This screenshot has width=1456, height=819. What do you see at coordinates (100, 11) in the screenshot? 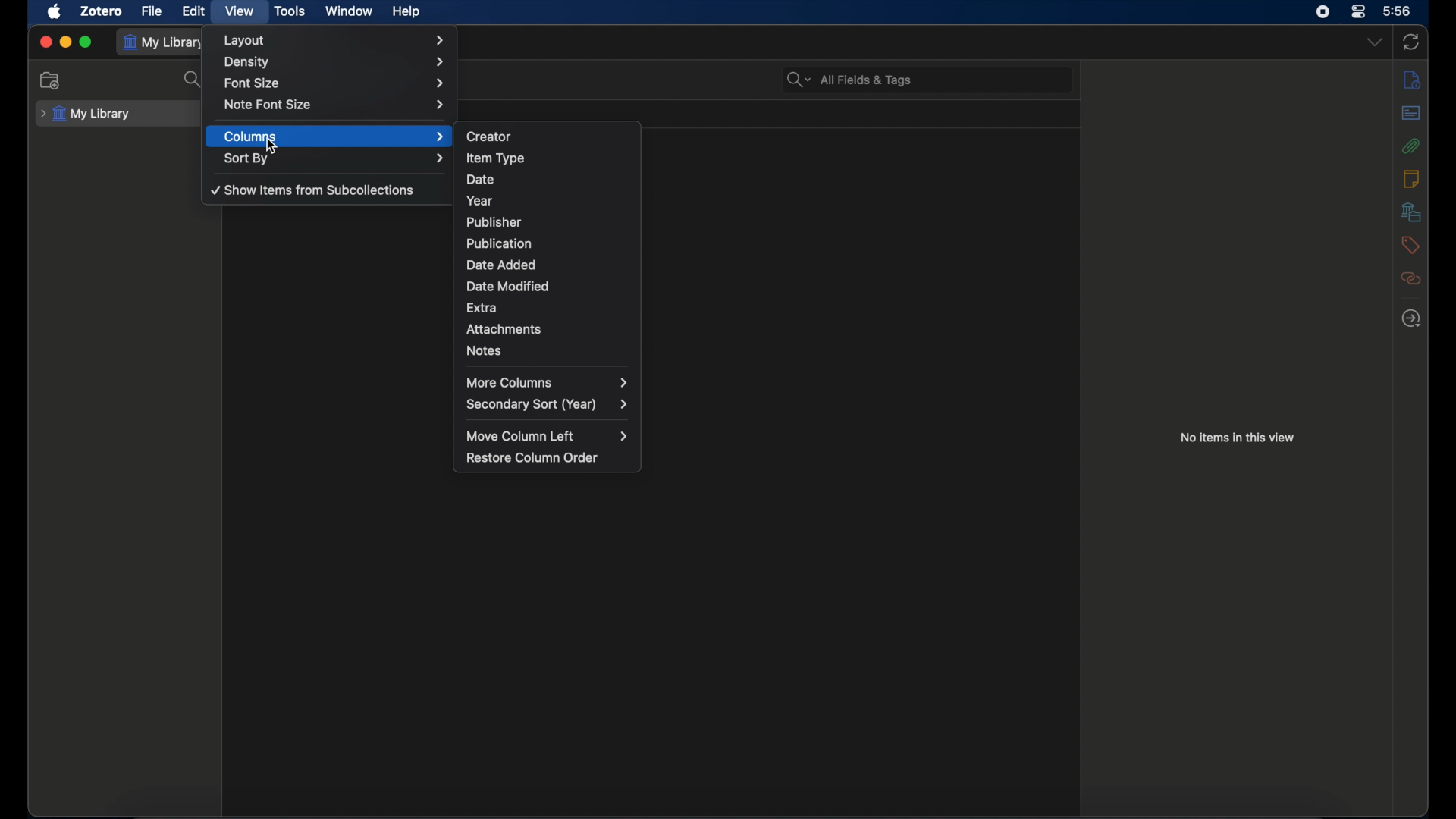
I see `zotero` at bounding box center [100, 11].